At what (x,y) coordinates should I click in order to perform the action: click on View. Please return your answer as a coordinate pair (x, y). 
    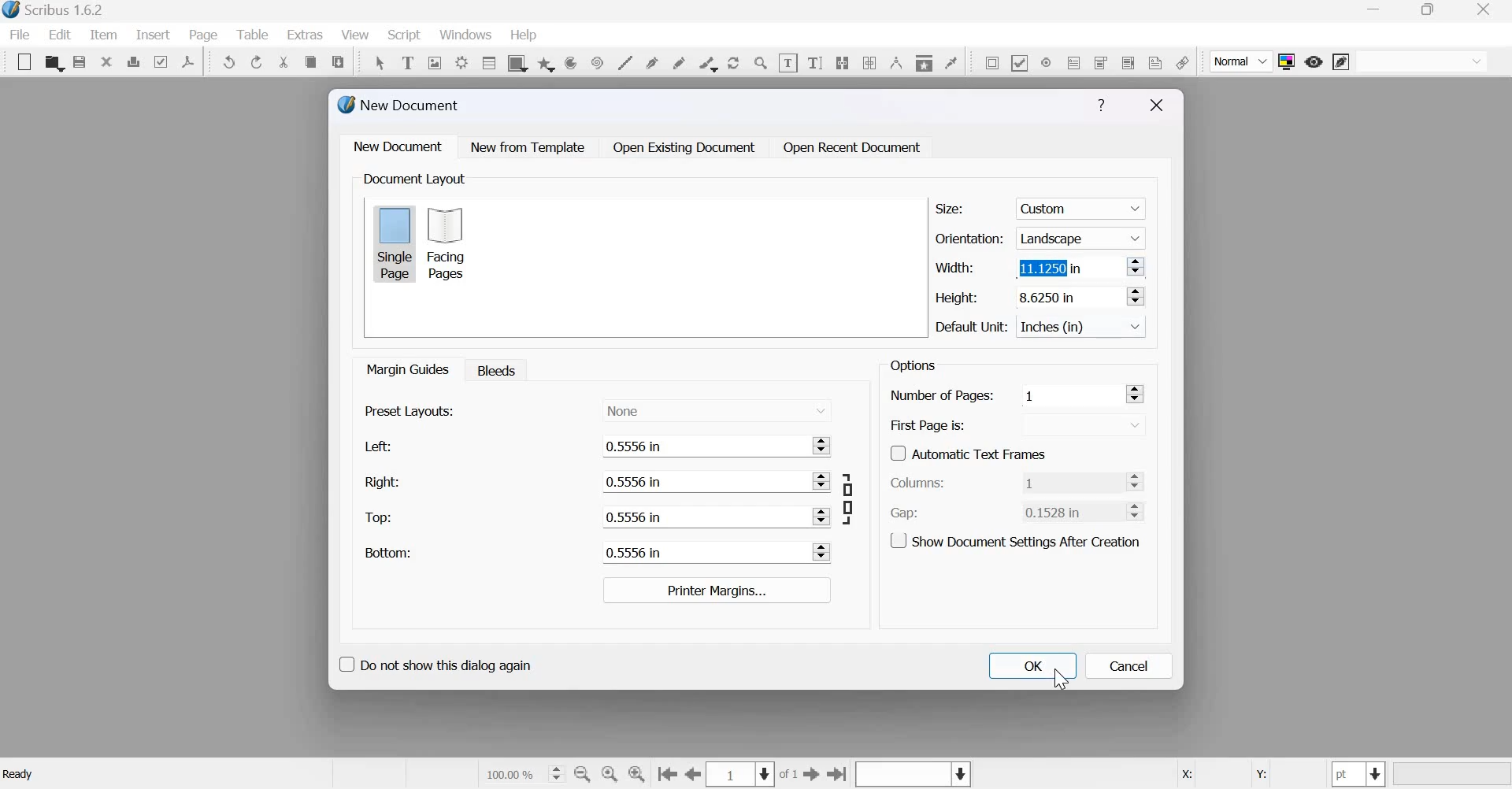
    Looking at the image, I should click on (357, 35).